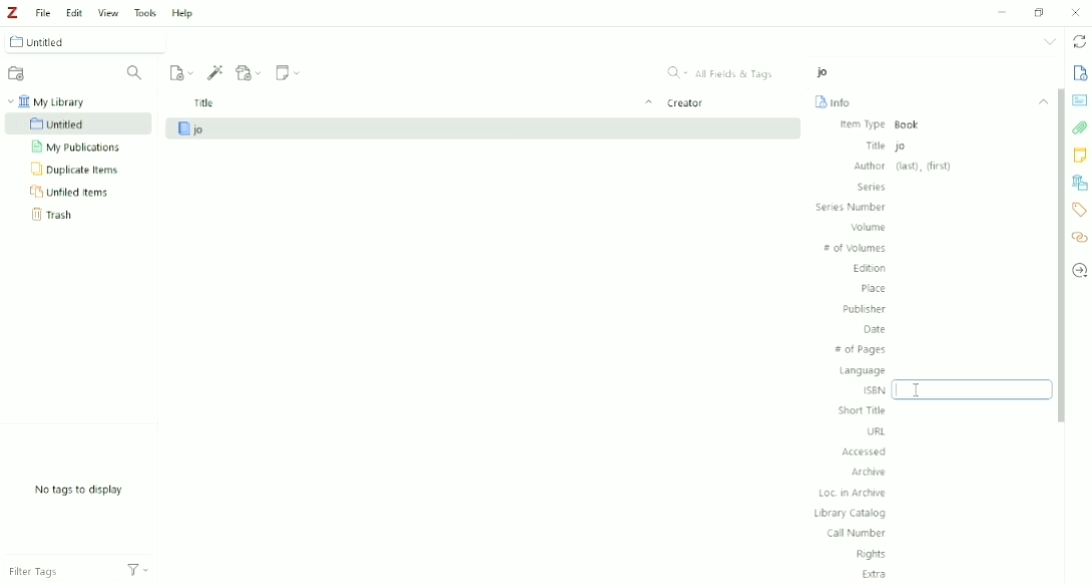  I want to click on Duplicate Items, so click(77, 170).